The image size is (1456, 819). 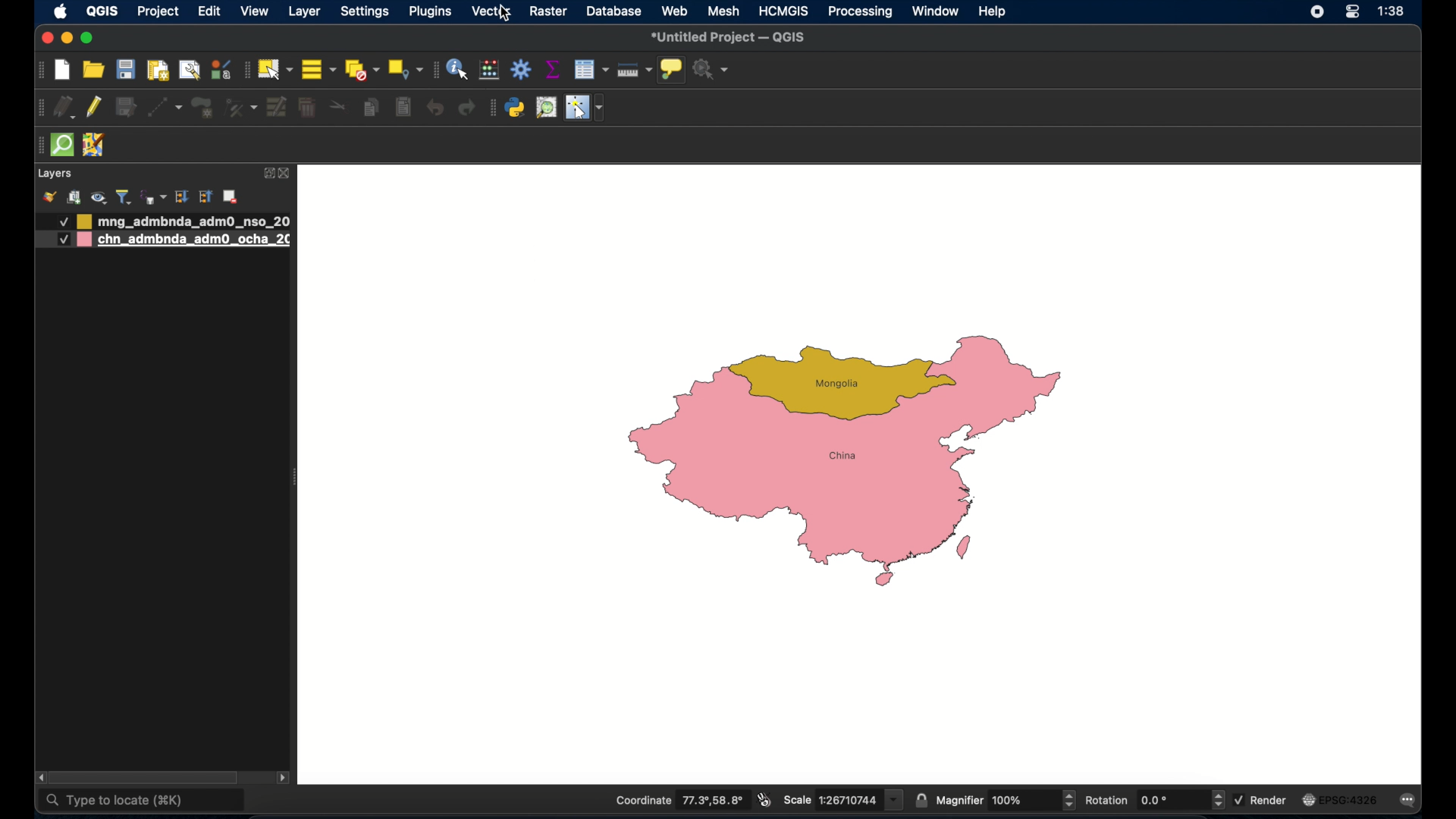 I want to click on type to locate, so click(x=143, y=802).